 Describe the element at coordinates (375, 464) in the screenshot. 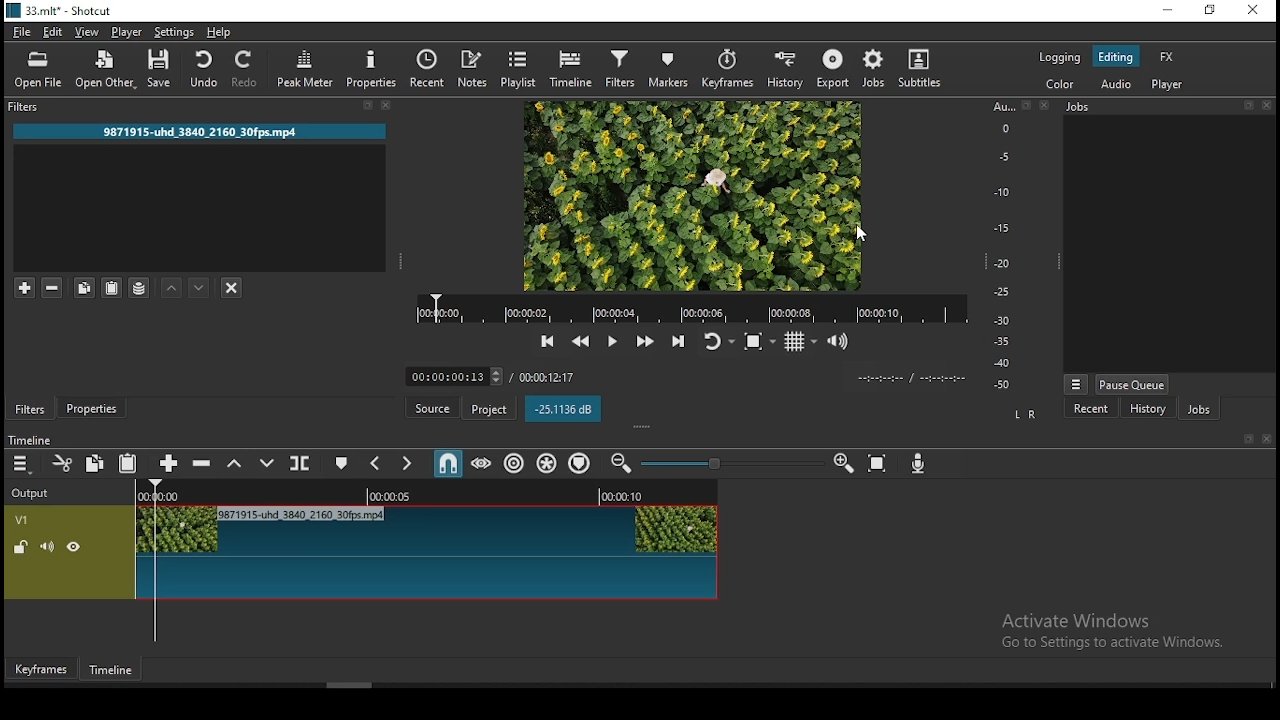

I see `previous marker` at that location.